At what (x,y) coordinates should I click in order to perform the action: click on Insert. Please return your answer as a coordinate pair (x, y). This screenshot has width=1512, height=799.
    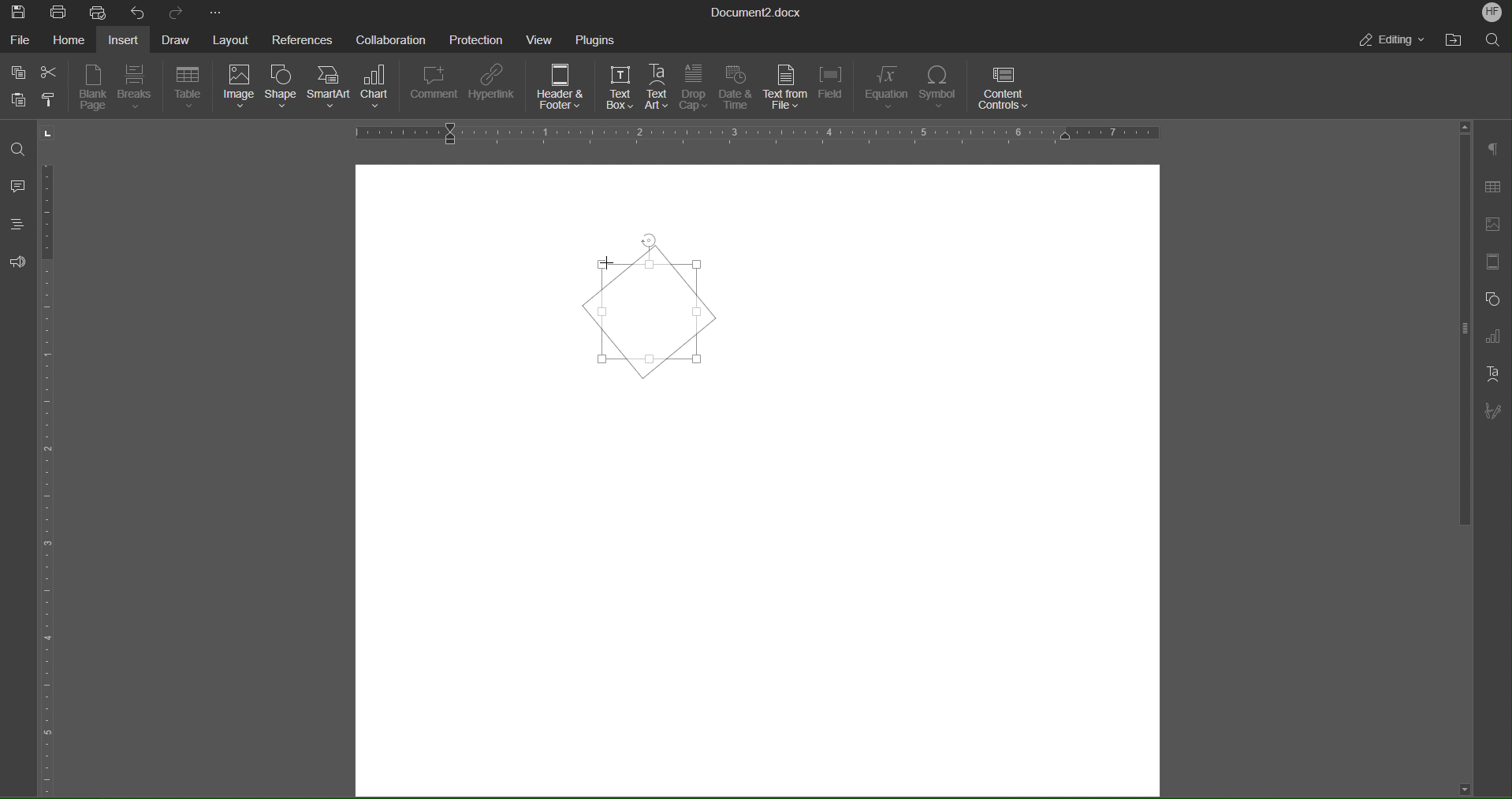
    Looking at the image, I should click on (125, 39).